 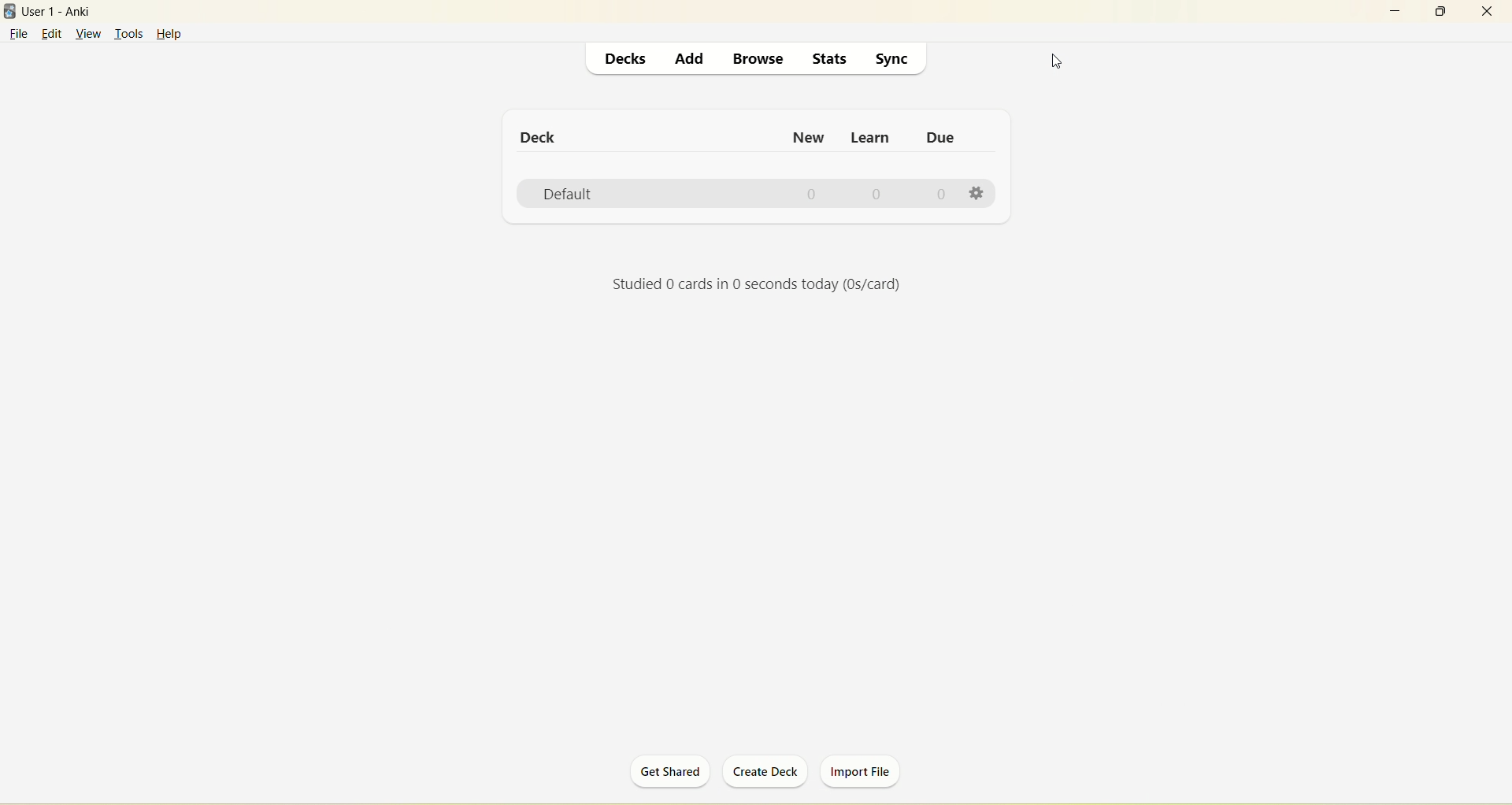 I want to click on help, so click(x=174, y=35).